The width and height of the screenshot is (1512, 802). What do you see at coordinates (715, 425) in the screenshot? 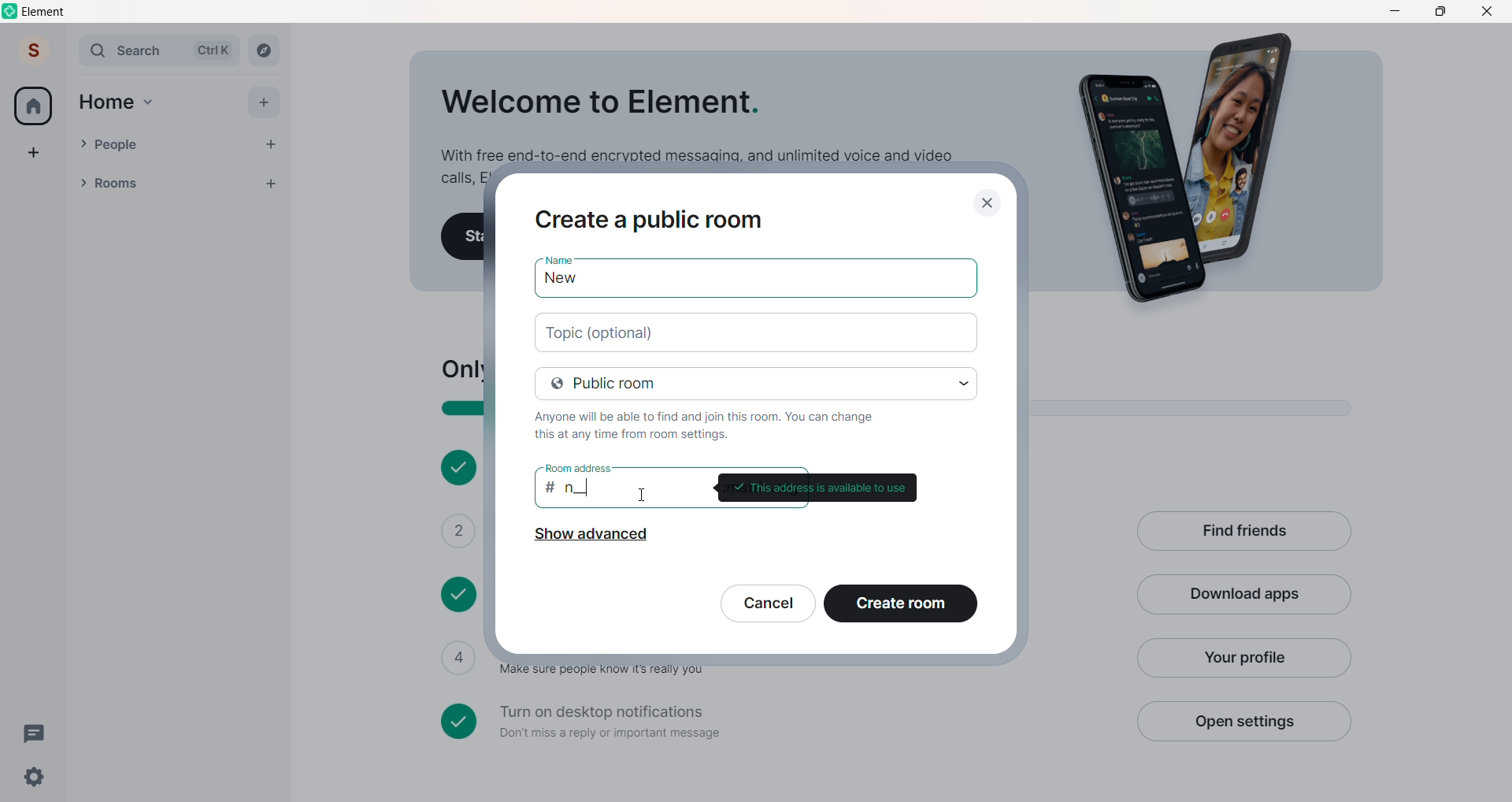
I see `Only people invited will be able to find and join this room. You can
change this at any time from room settings.` at bounding box center [715, 425].